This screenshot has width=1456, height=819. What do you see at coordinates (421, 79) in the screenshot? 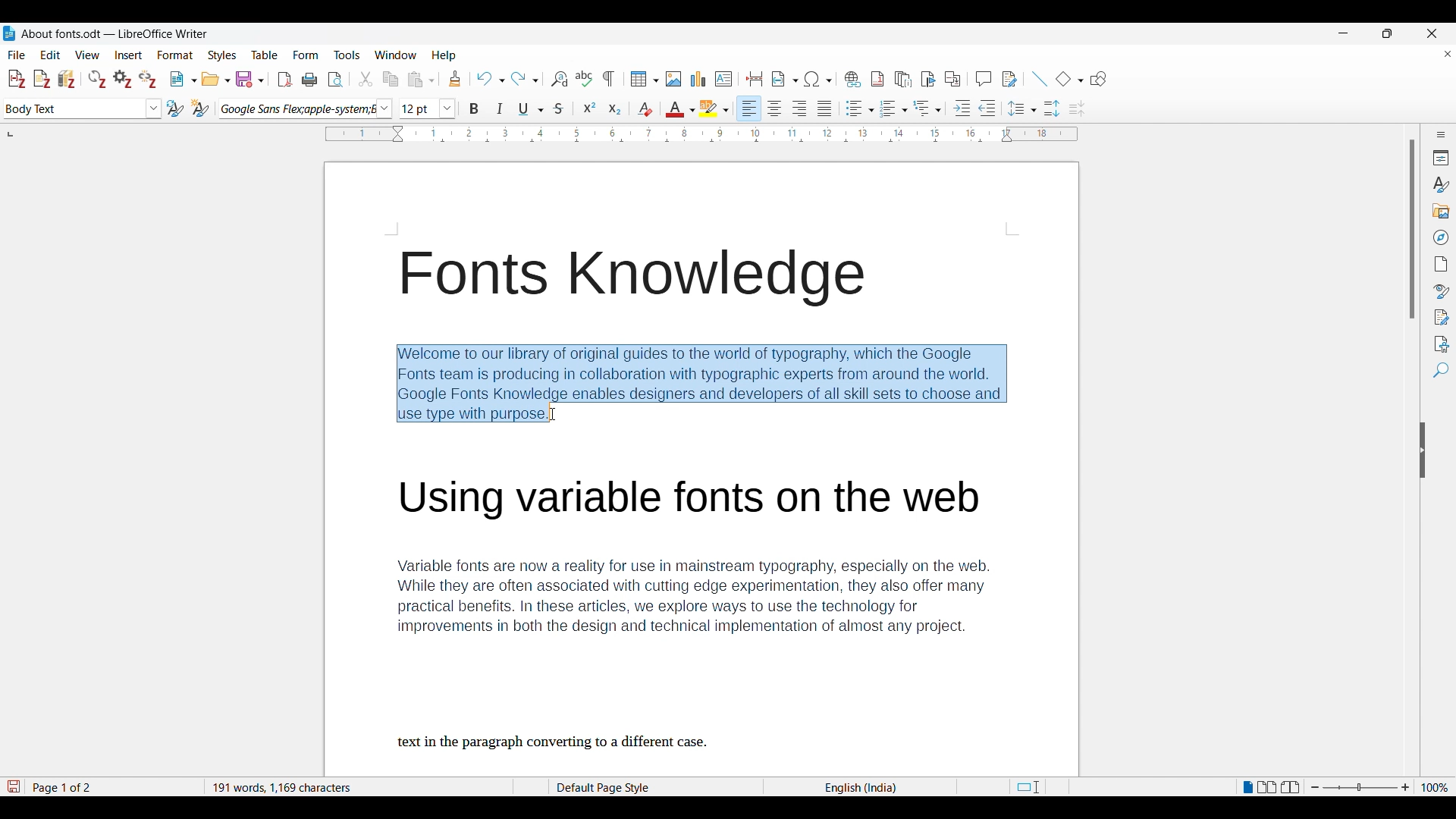
I see `Paste` at bounding box center [421, 79].